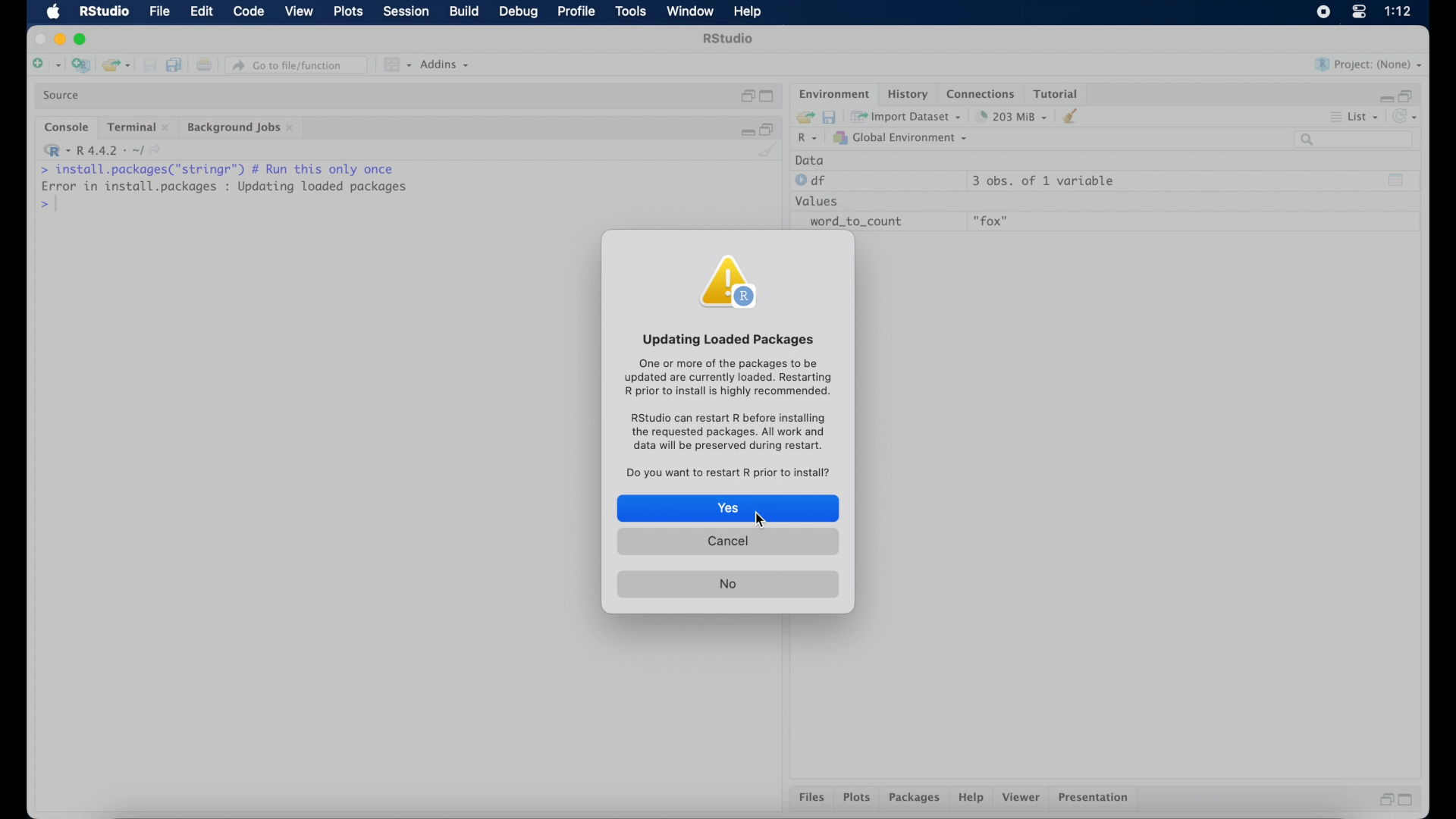  Describe the element at coordinates (900, 137) in the screenshot. I see `global environment` at that location.